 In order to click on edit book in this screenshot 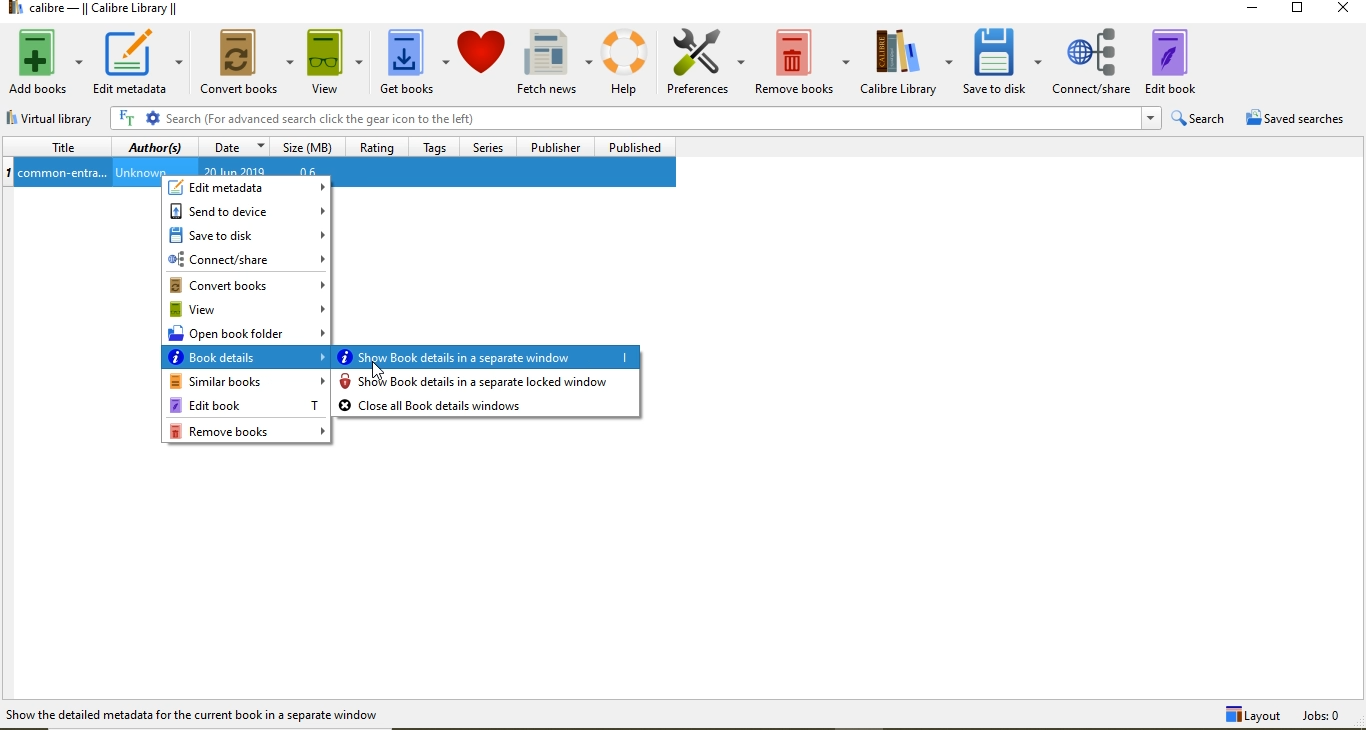, I will do `click(1184, 57)`.